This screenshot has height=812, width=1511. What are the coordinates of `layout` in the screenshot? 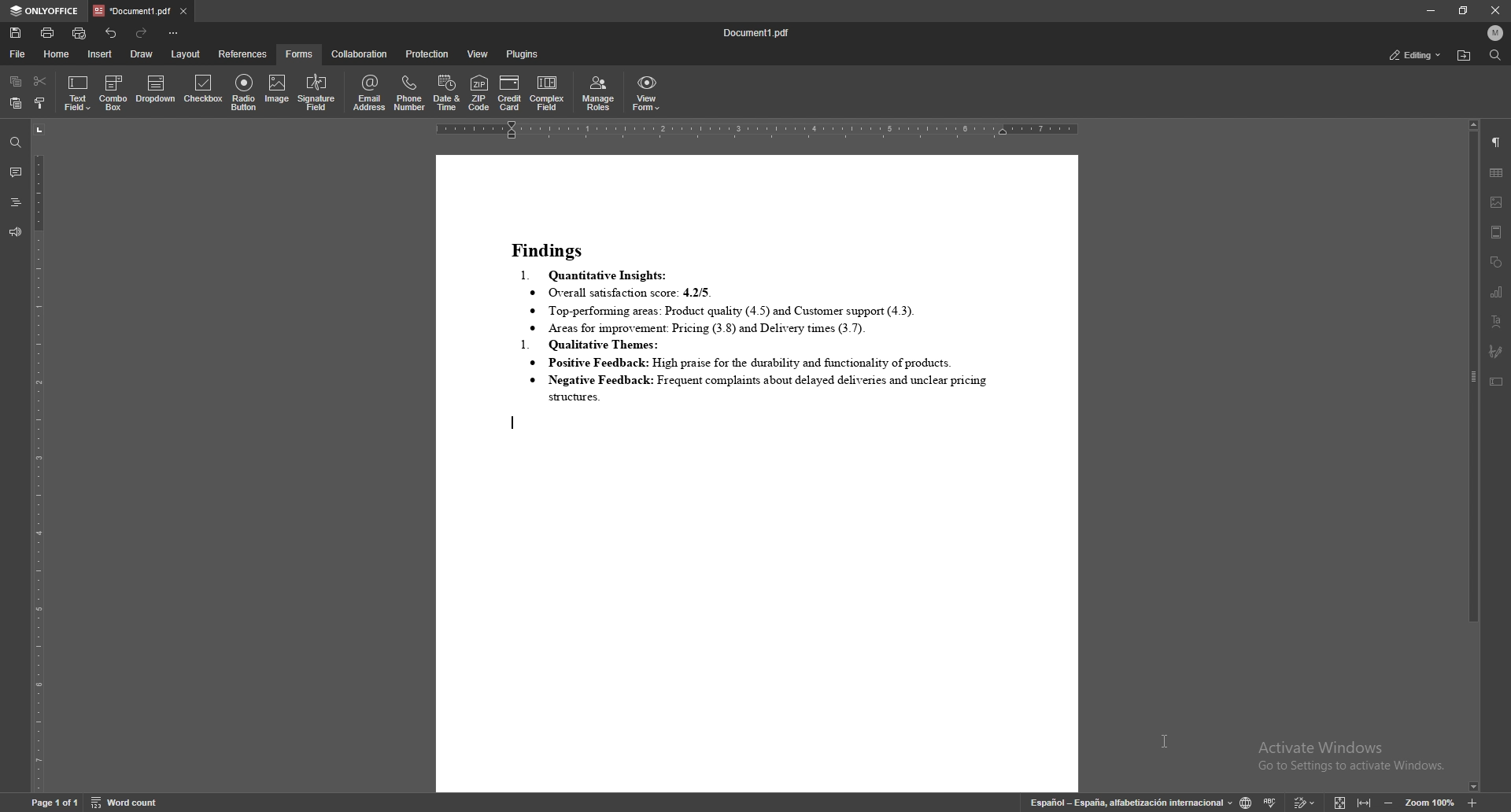 It's located at (186, 54).